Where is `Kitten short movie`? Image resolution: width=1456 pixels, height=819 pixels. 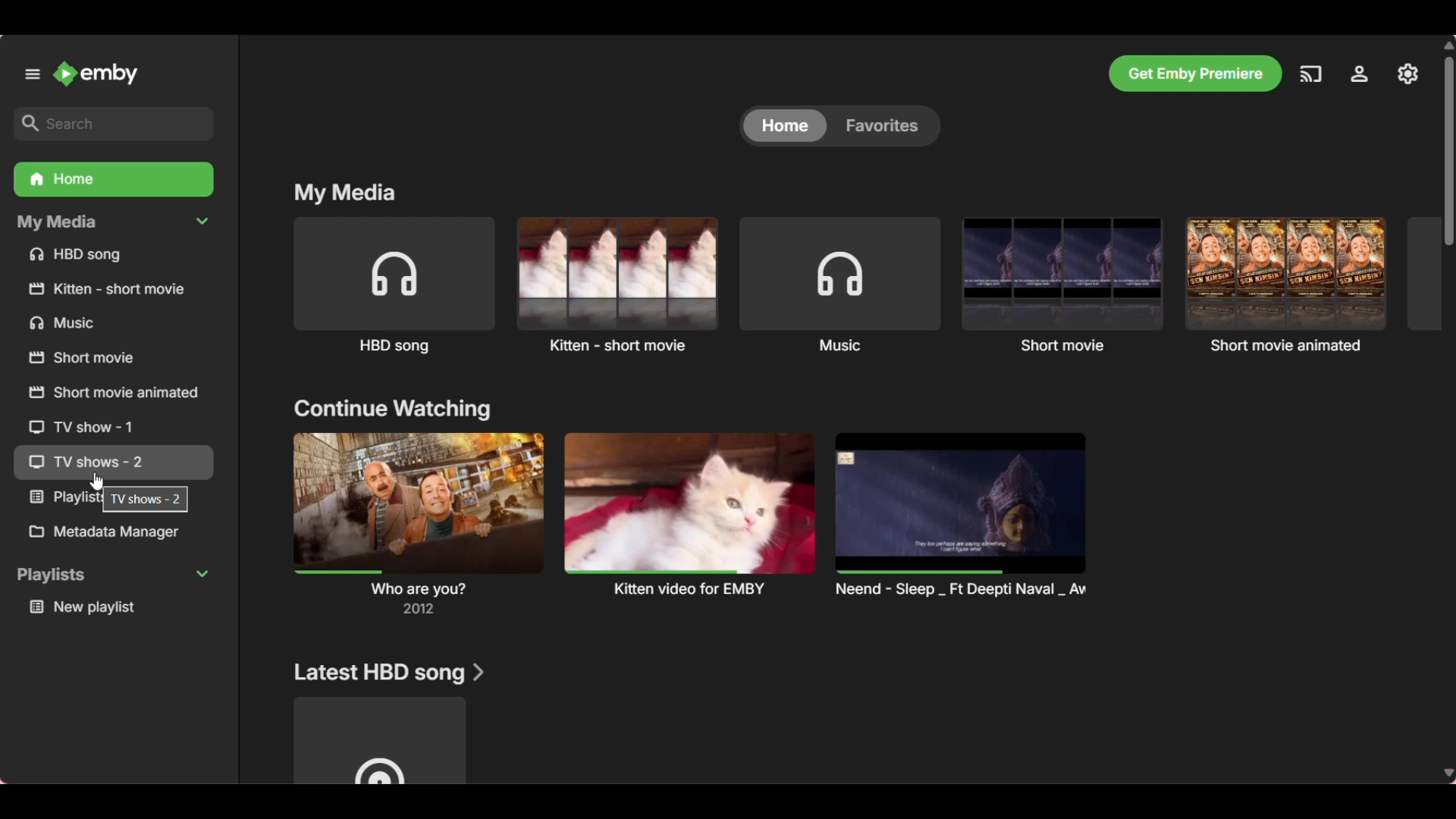
Kitten short movie is located at coordinates (617, 284).